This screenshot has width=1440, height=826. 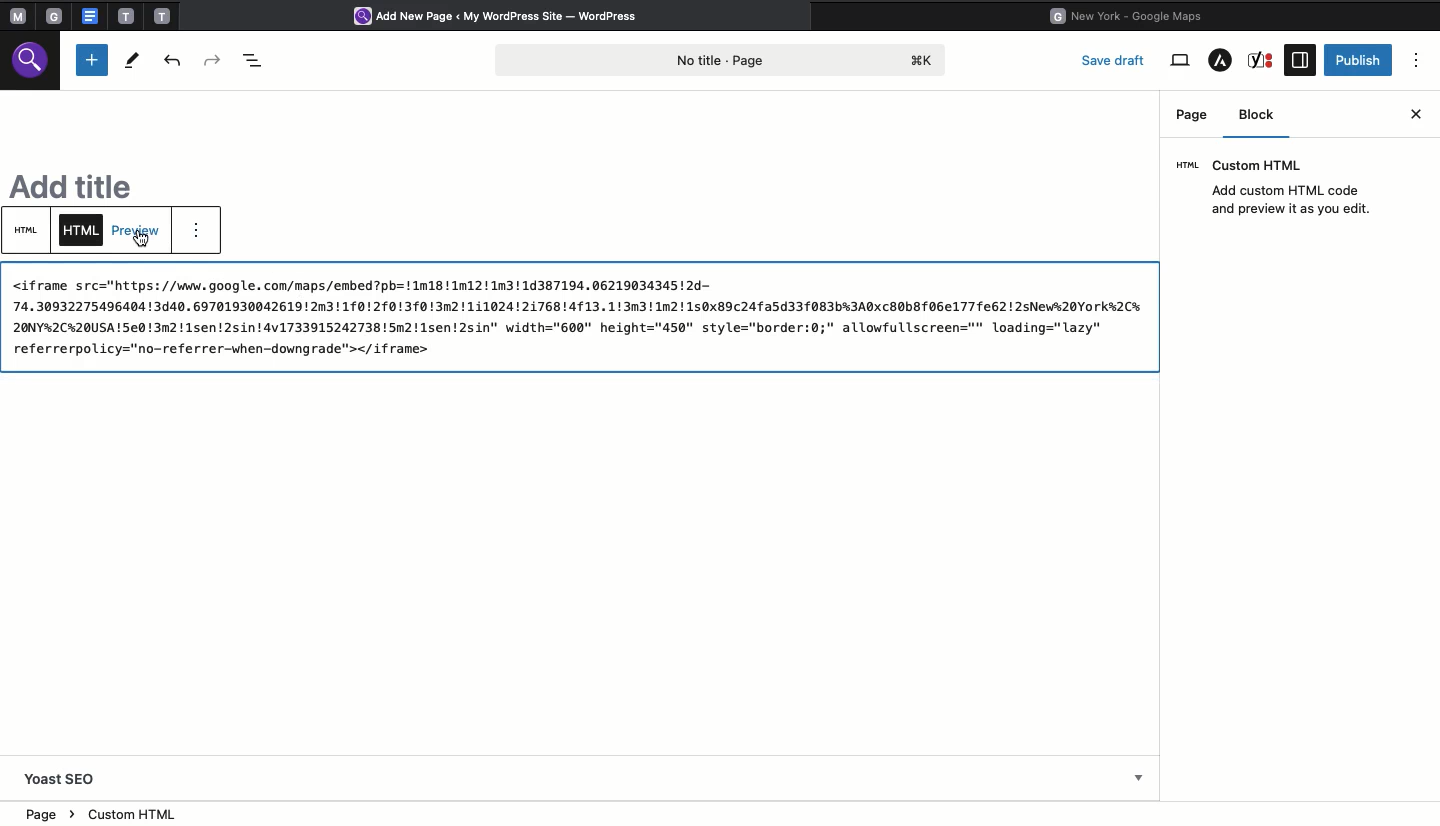 I want to click on Options, so click(x=1418, y=60).